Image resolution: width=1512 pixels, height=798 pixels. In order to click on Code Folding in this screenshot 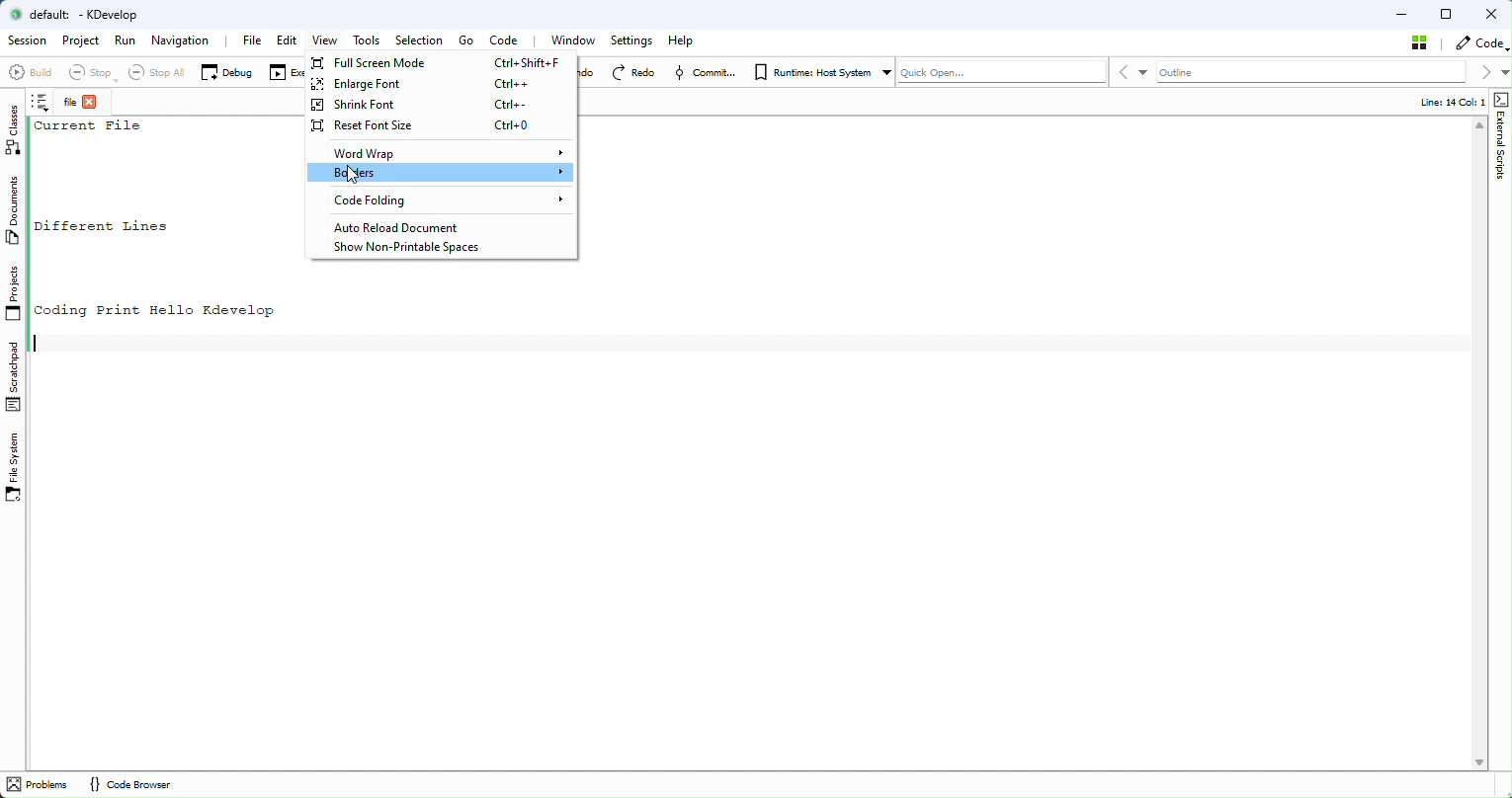, I will do `click(443, 200)`.